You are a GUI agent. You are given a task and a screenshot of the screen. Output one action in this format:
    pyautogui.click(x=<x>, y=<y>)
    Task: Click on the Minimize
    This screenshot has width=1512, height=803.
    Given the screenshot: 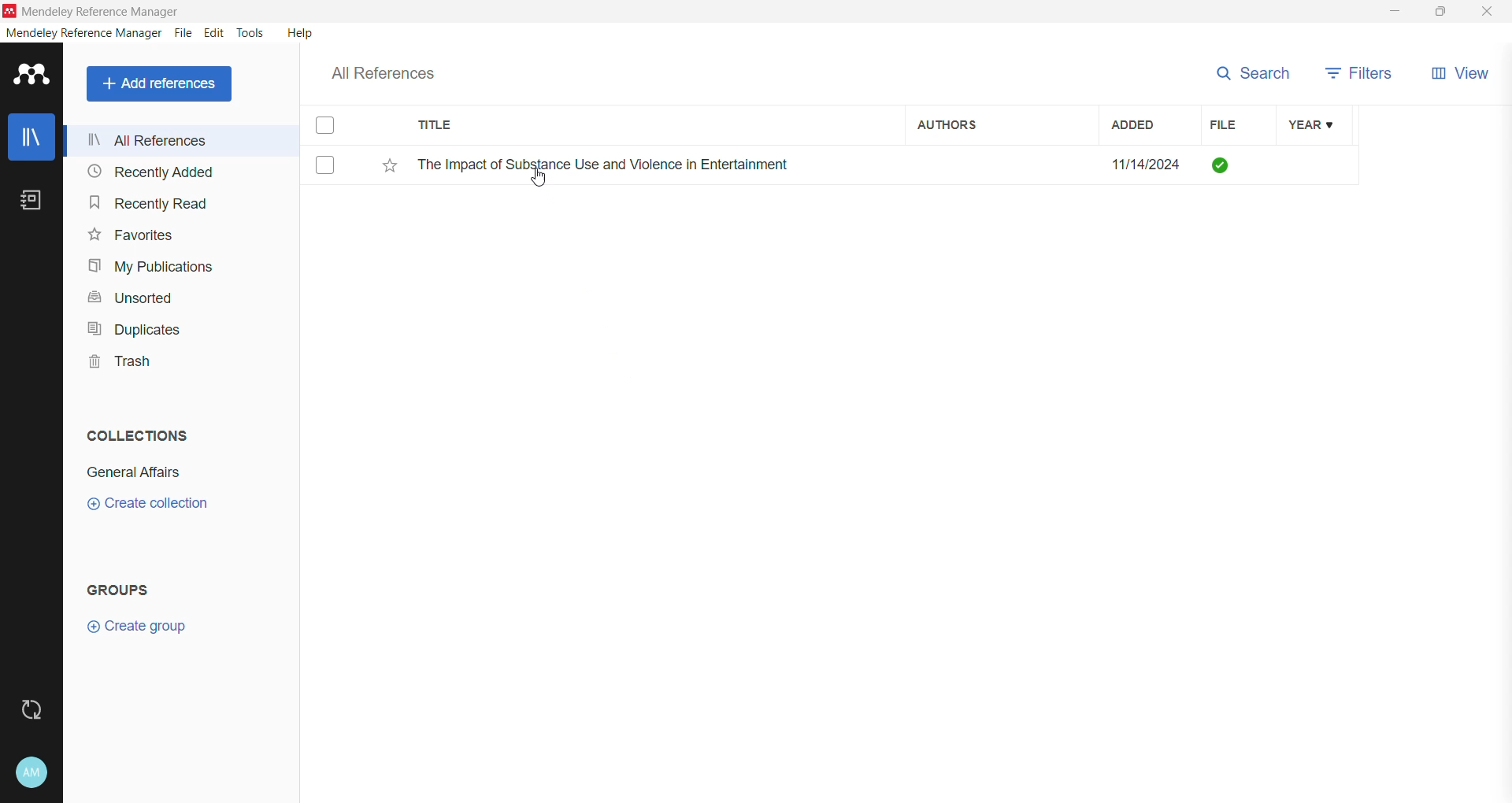 What is the action you would take?
    pyautogui.click(x=1395, y=12)
    